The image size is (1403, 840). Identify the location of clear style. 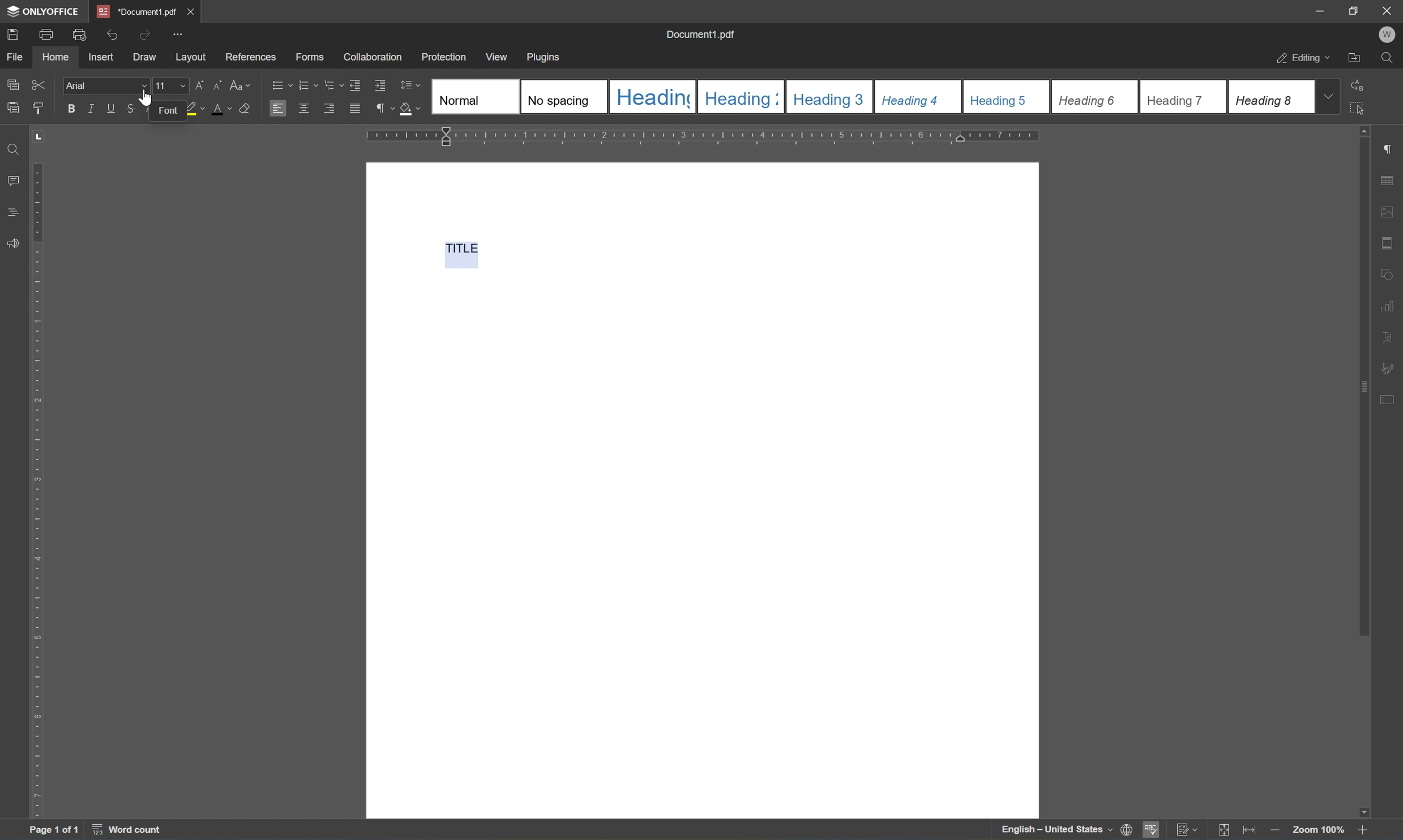
(244, 109).